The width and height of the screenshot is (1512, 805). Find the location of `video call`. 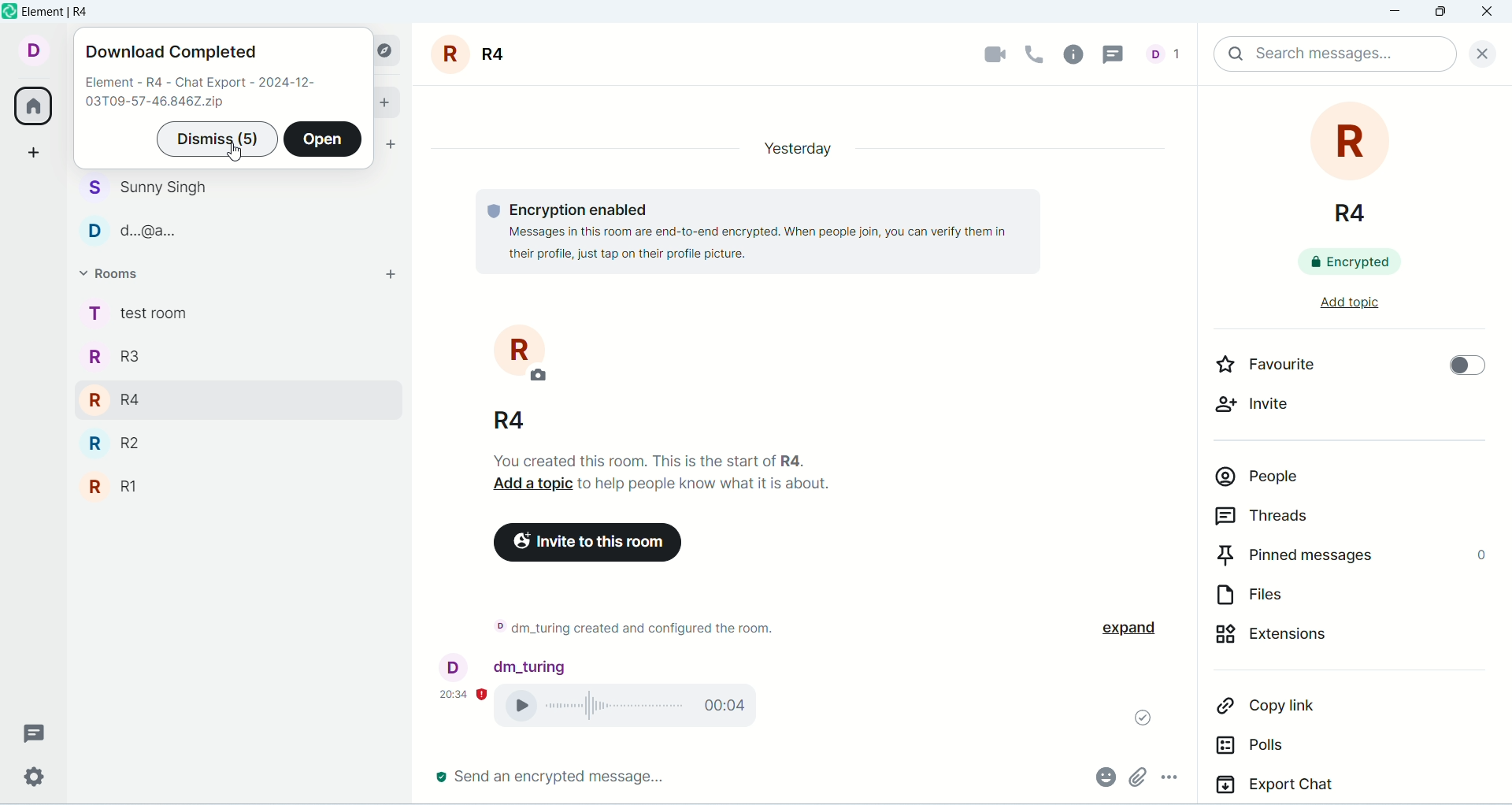

video call is located at coordinates (986, 55).